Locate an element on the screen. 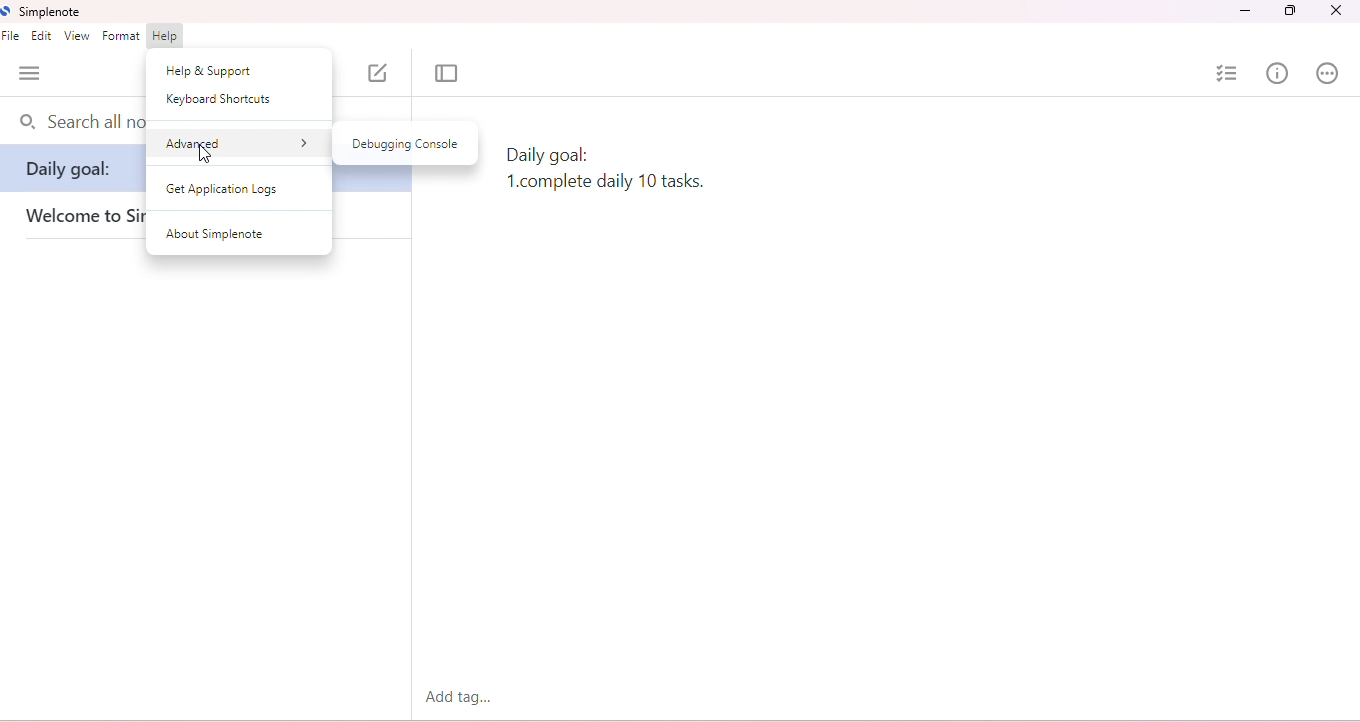 The height and width of the screenshot is (722, 1360). daily goal: is located at coordinates (72, 174).